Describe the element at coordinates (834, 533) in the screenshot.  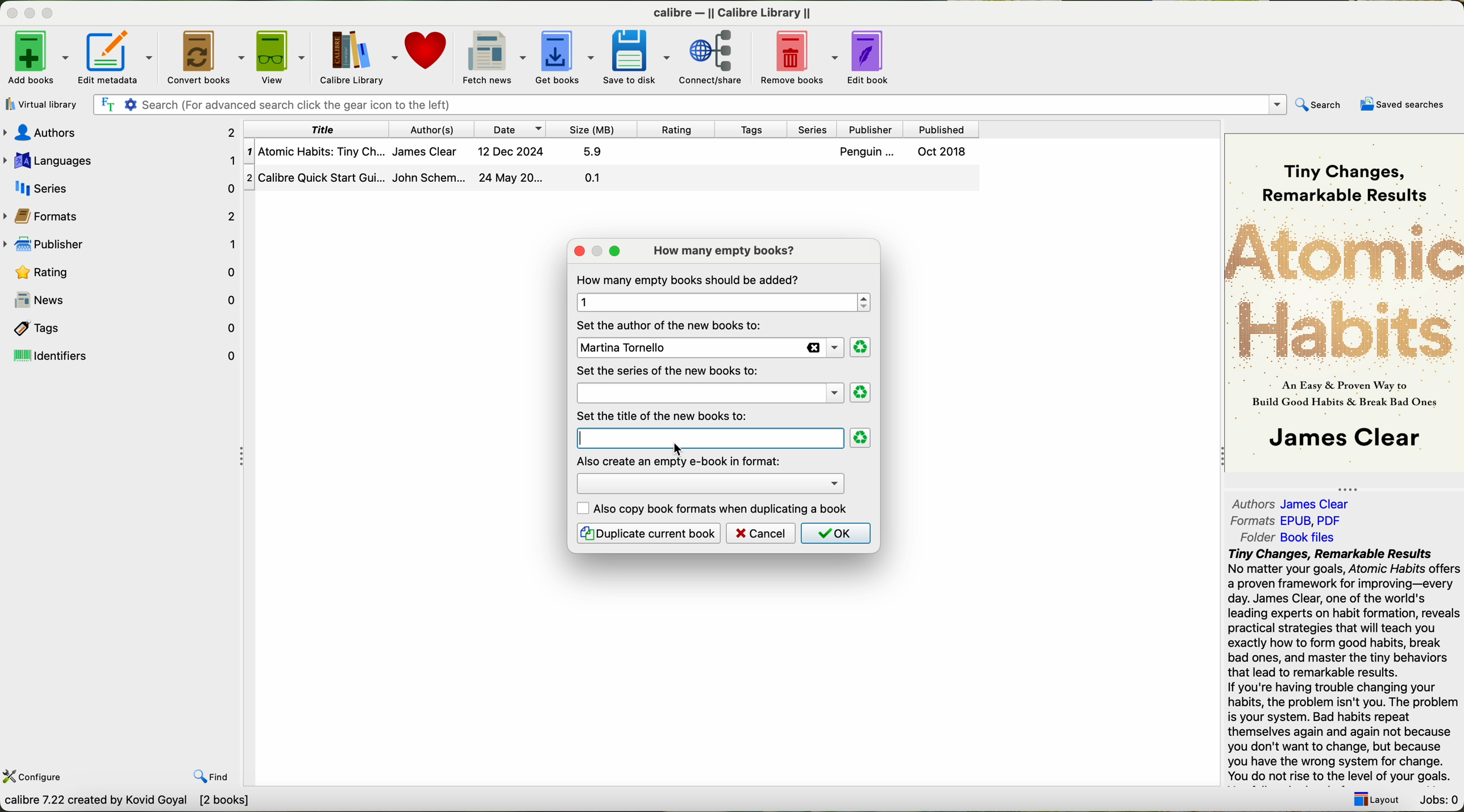
I see `OK button` at that location.